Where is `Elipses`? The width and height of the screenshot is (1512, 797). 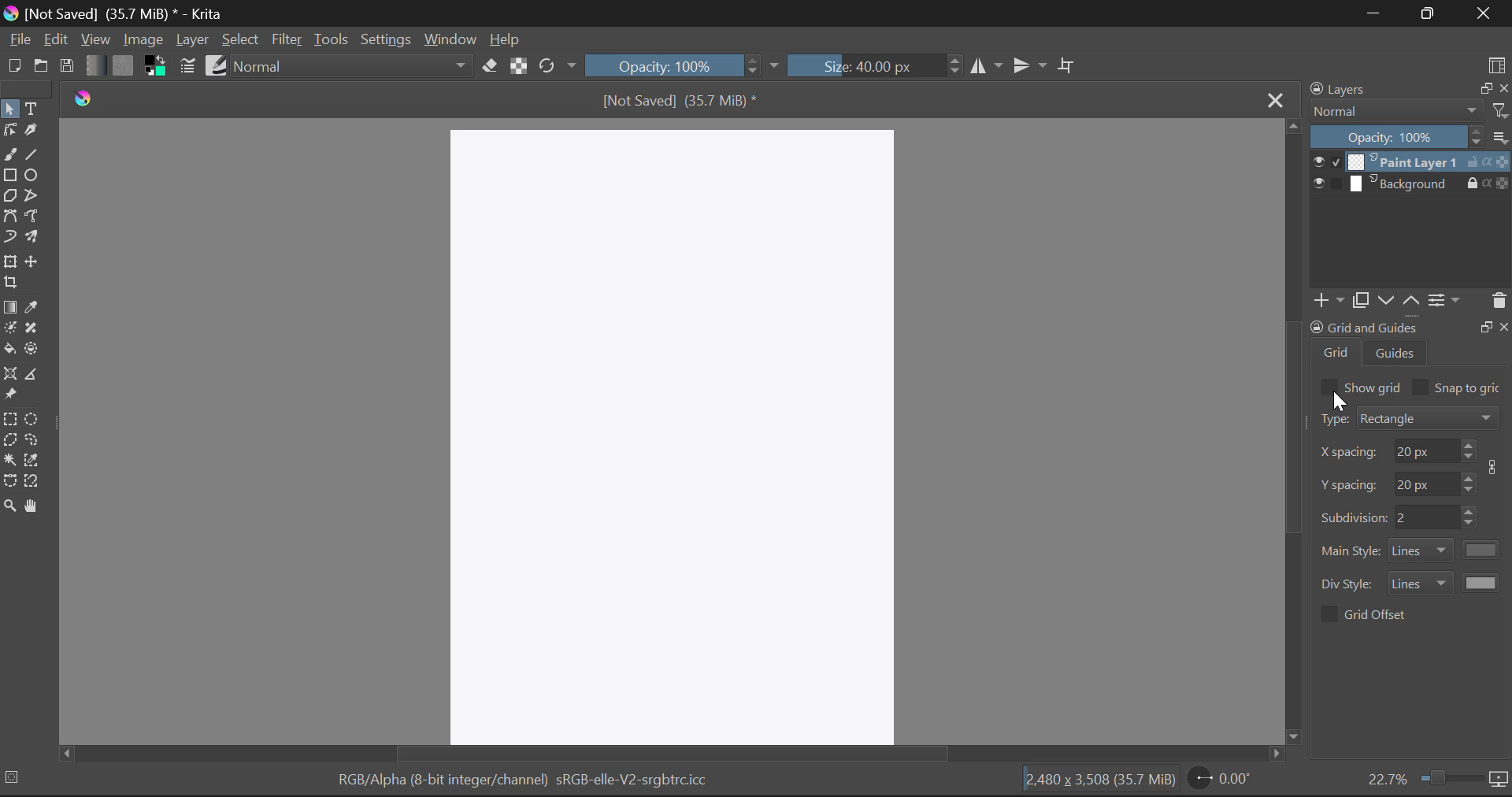 Elipses is located at coordinates (32, 175).